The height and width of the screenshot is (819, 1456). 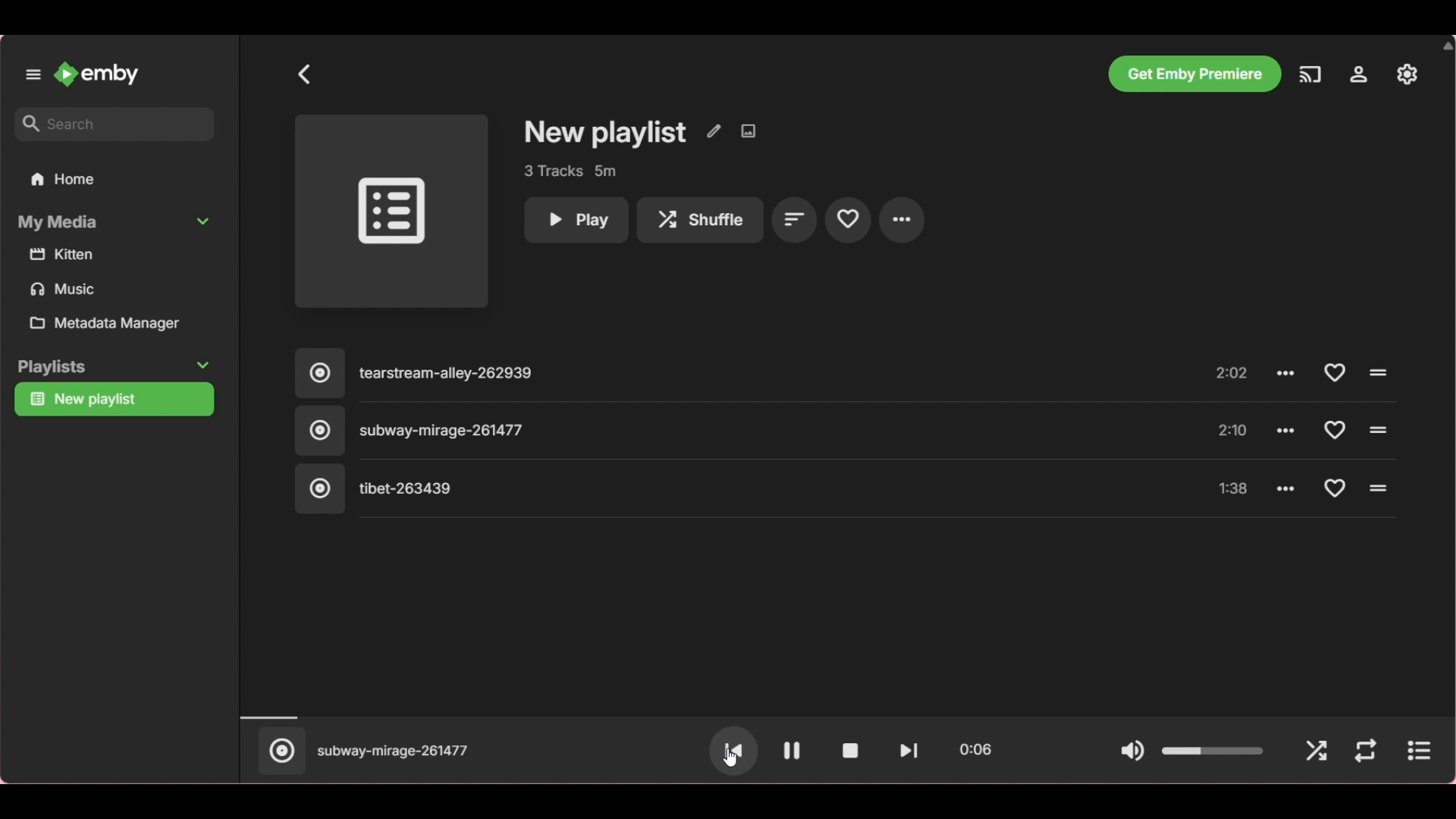 I want to click on Playlist details, so click(x=570, y=171).